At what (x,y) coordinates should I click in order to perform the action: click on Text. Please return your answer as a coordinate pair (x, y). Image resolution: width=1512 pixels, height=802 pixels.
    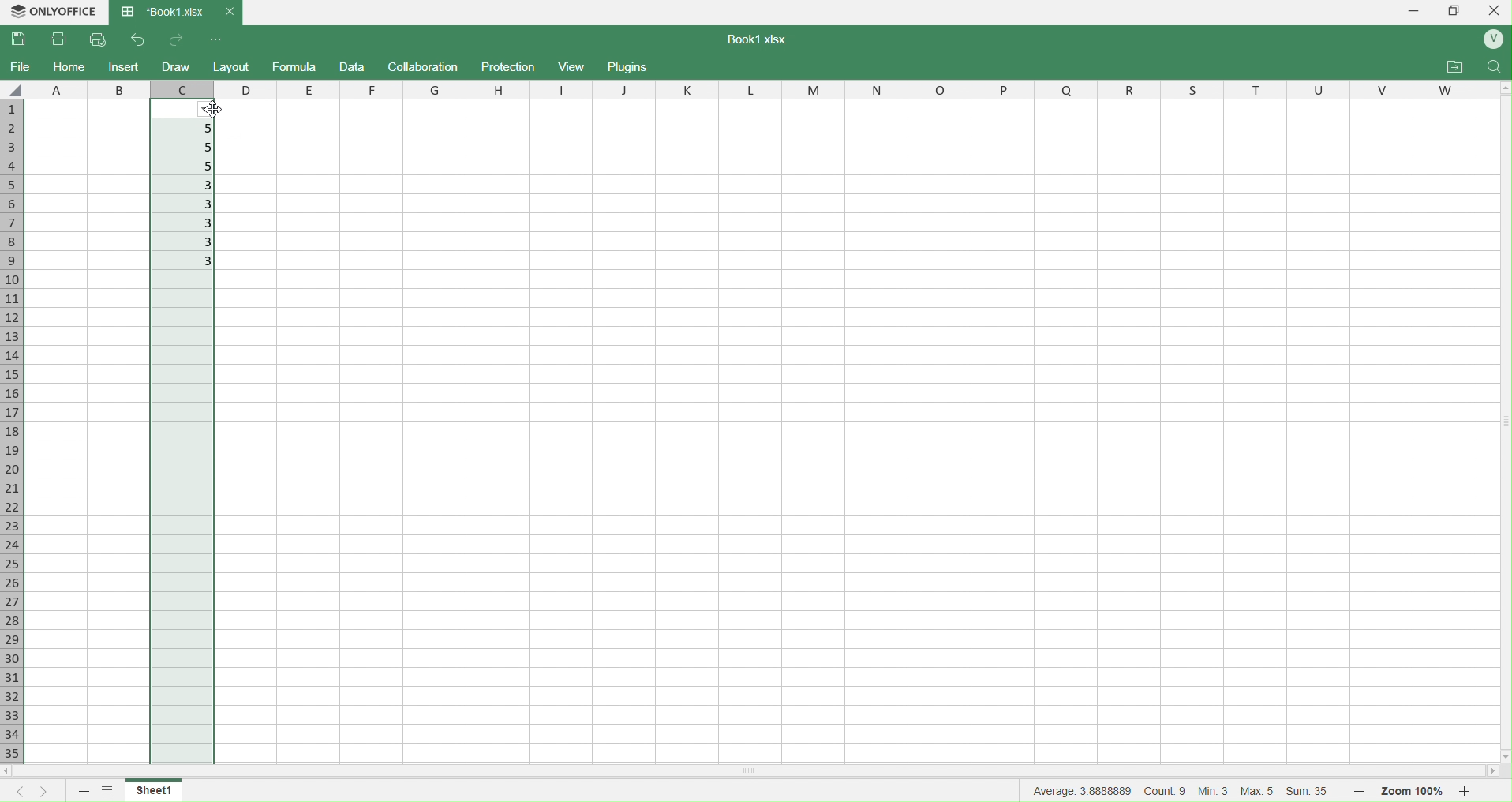
    Looking at the image, I should click on (753, 39).